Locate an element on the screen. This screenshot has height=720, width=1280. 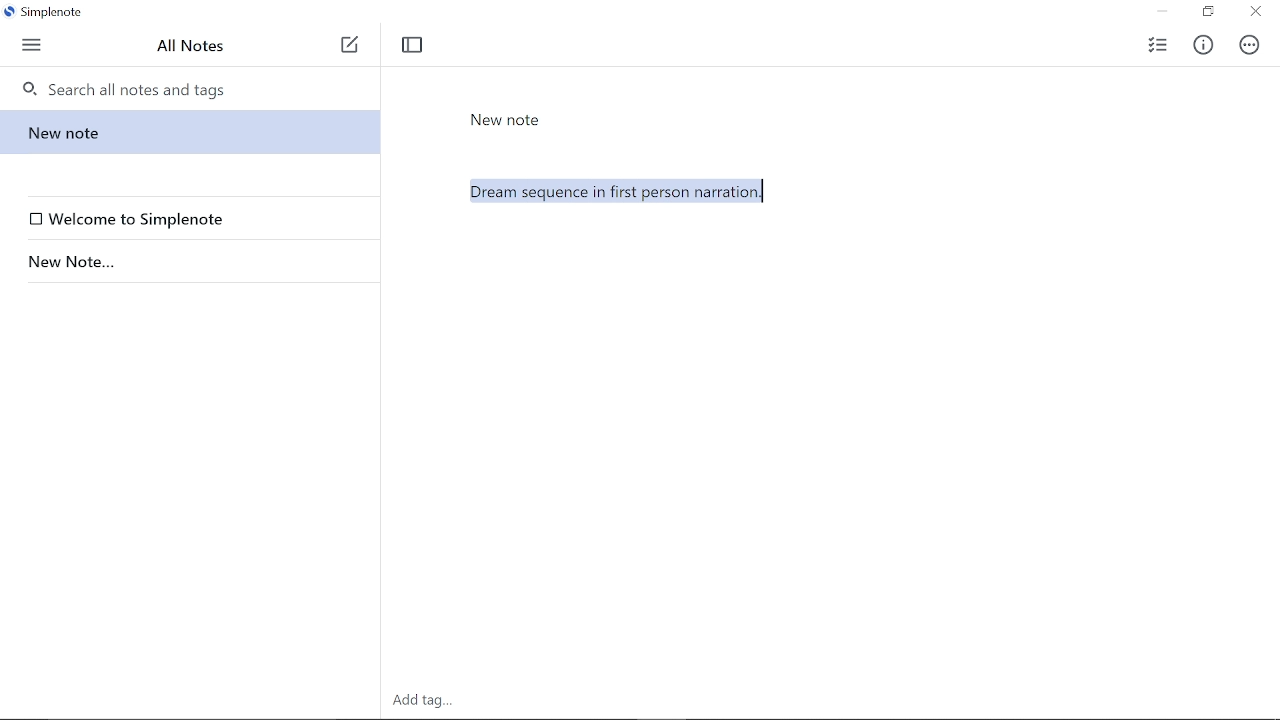
Actions is located at coordinates (1250, 45).